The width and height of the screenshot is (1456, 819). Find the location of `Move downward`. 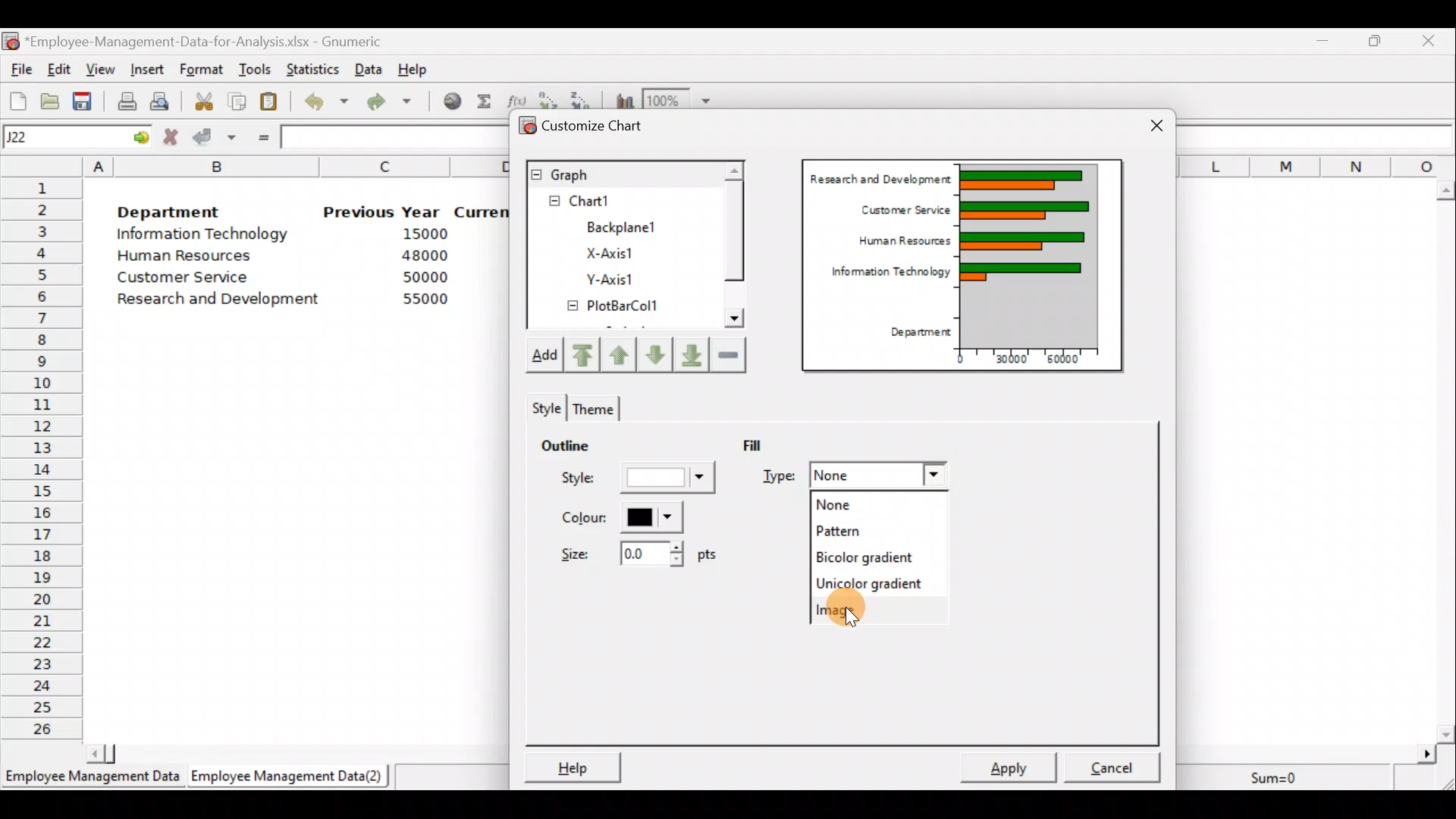

Move downward is located at coordinates (688, 352).